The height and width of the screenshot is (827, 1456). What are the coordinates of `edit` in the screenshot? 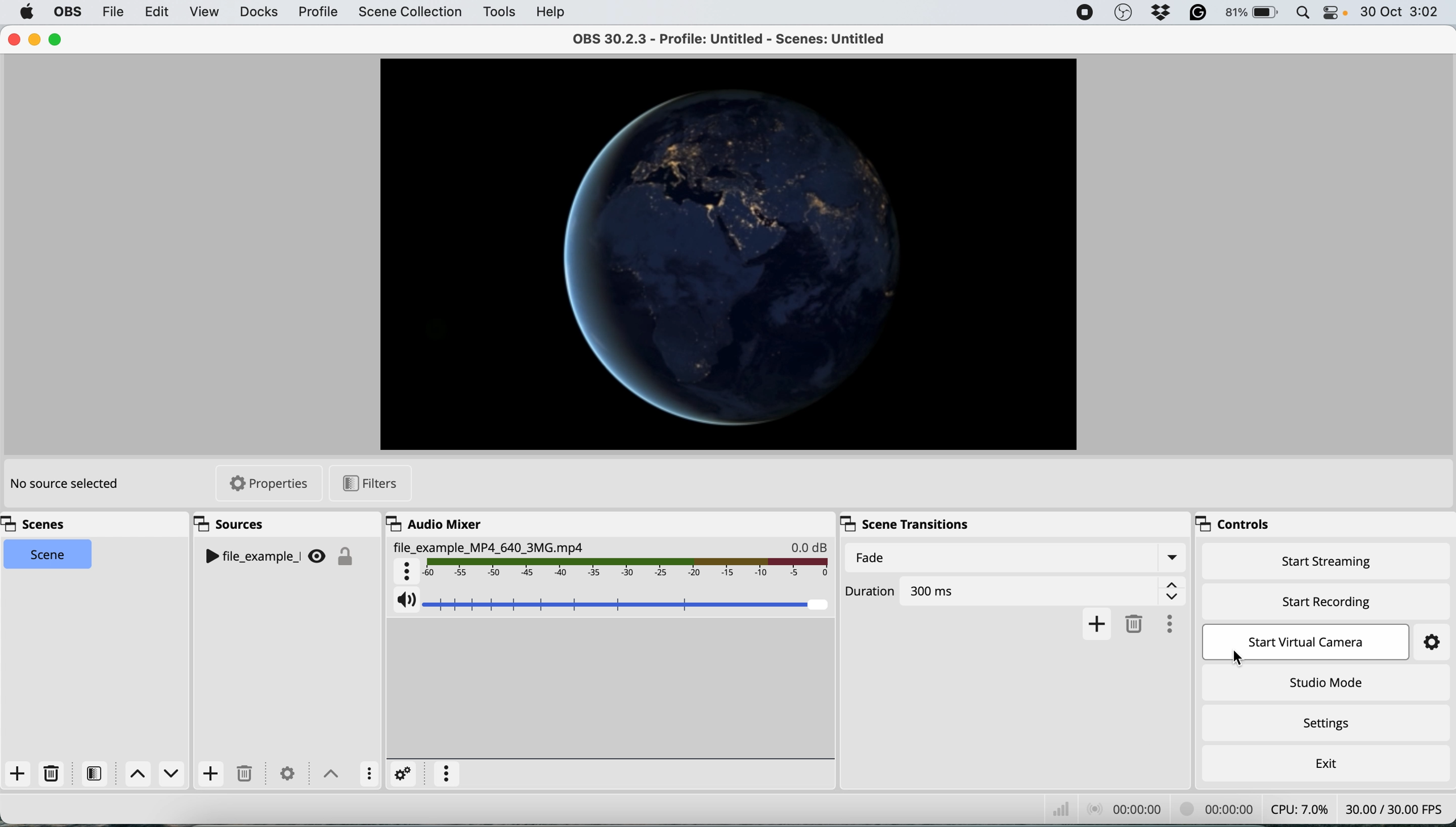 It's located at (158, 11).